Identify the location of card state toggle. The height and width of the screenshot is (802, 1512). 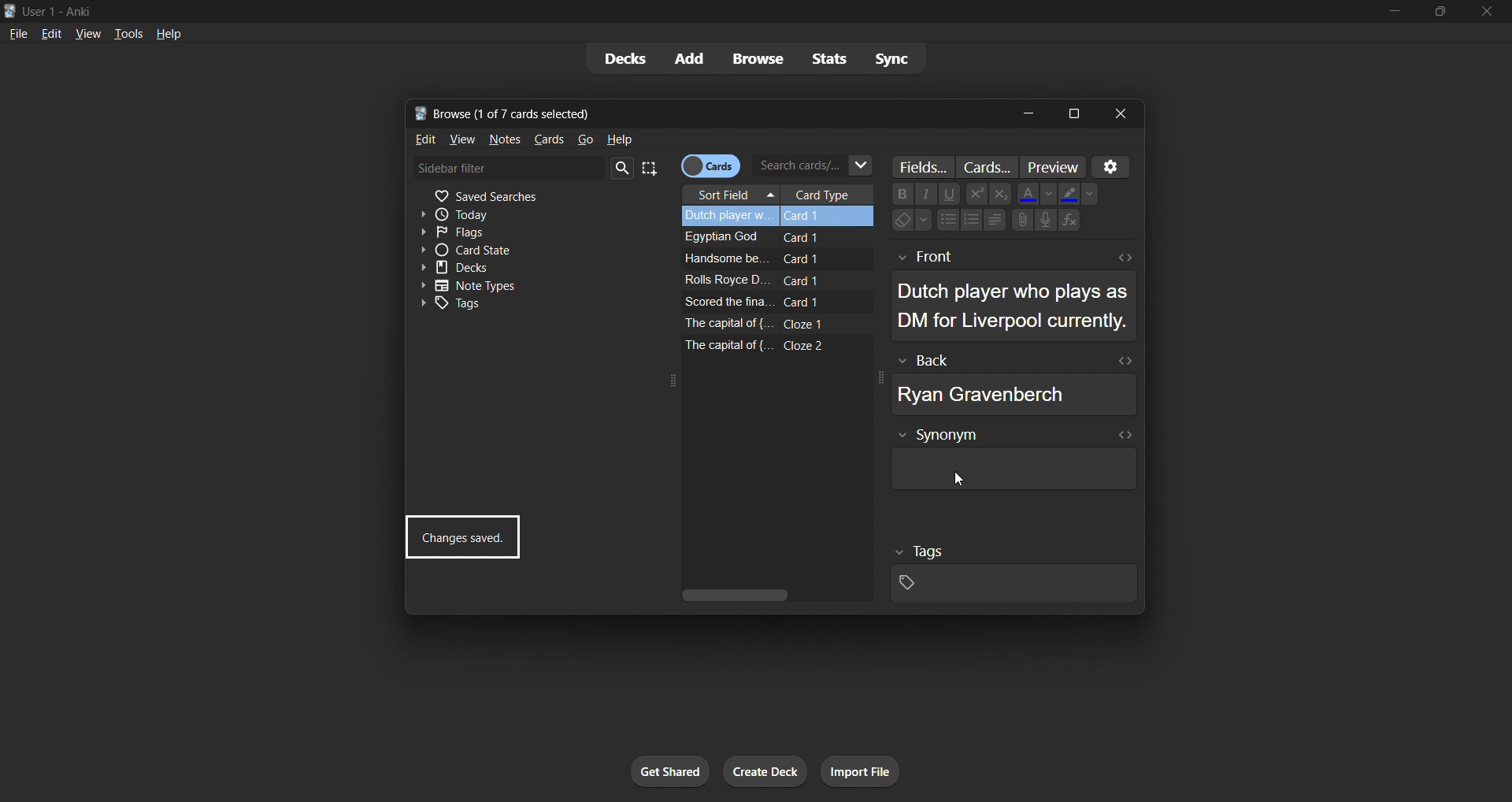
(510, 250).